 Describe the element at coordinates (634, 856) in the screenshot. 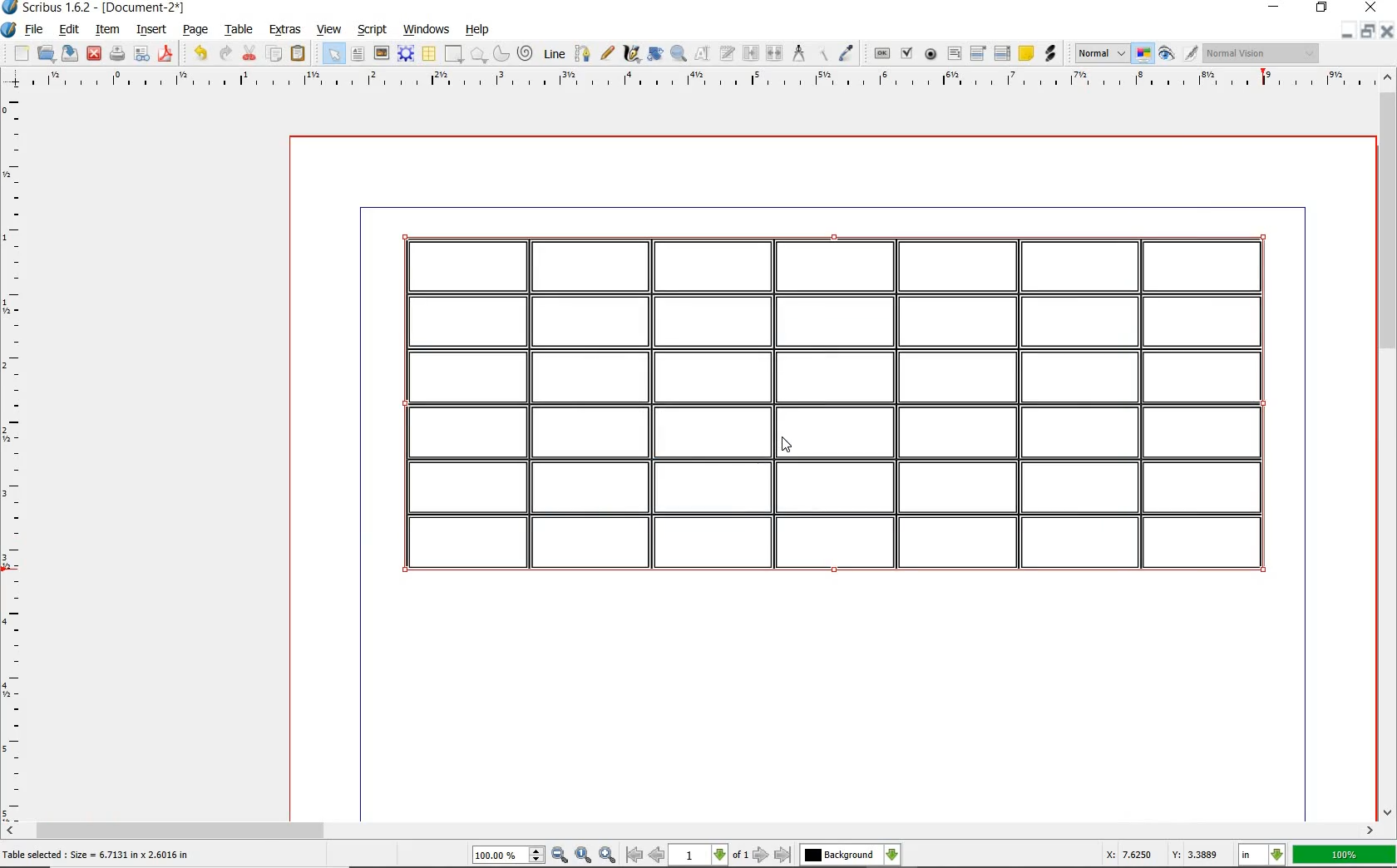

I see `go to first page` at that location.